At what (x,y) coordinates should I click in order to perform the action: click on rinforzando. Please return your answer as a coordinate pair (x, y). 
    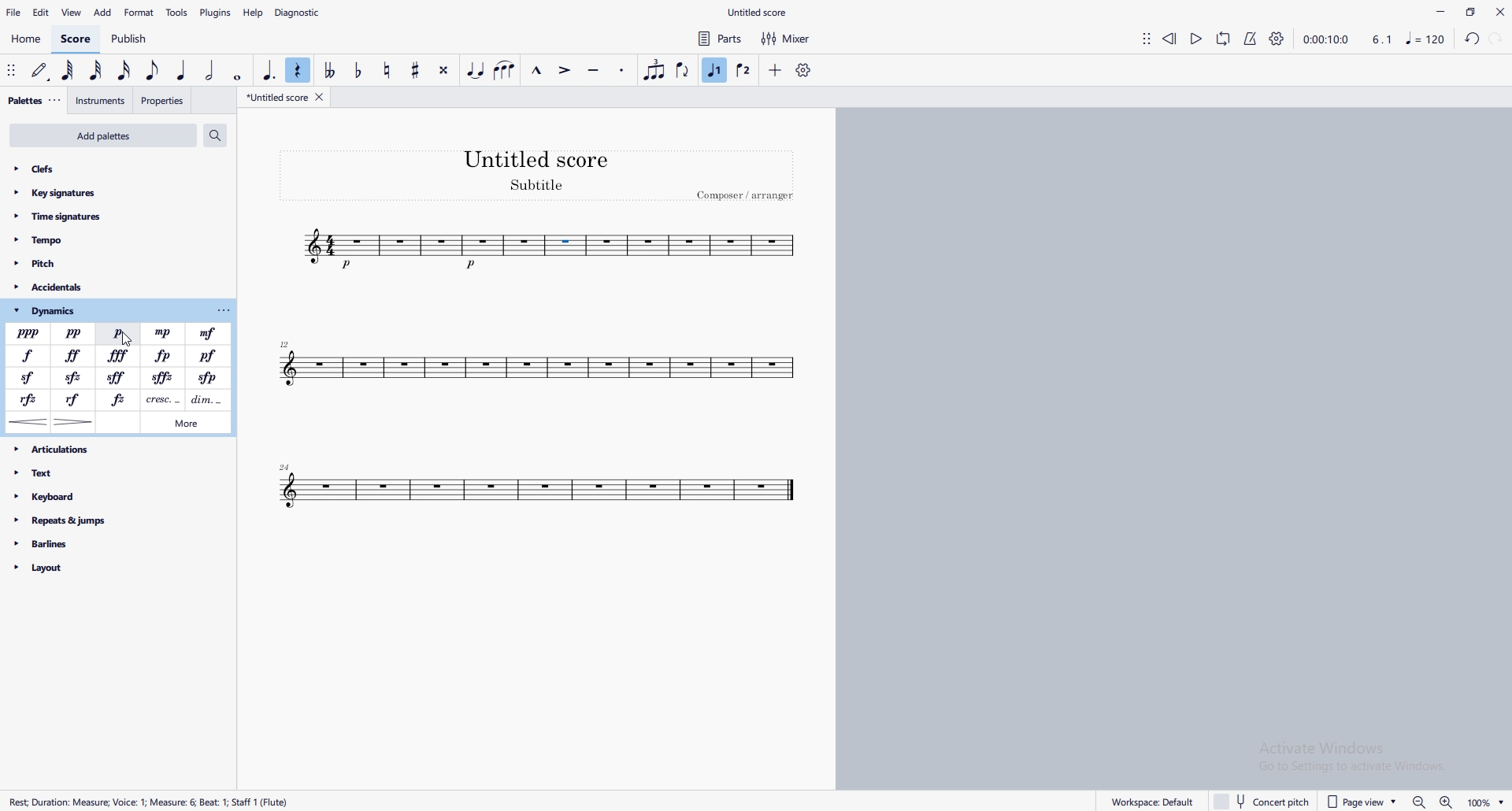
    Looking at the image, I should click on (28, 400).